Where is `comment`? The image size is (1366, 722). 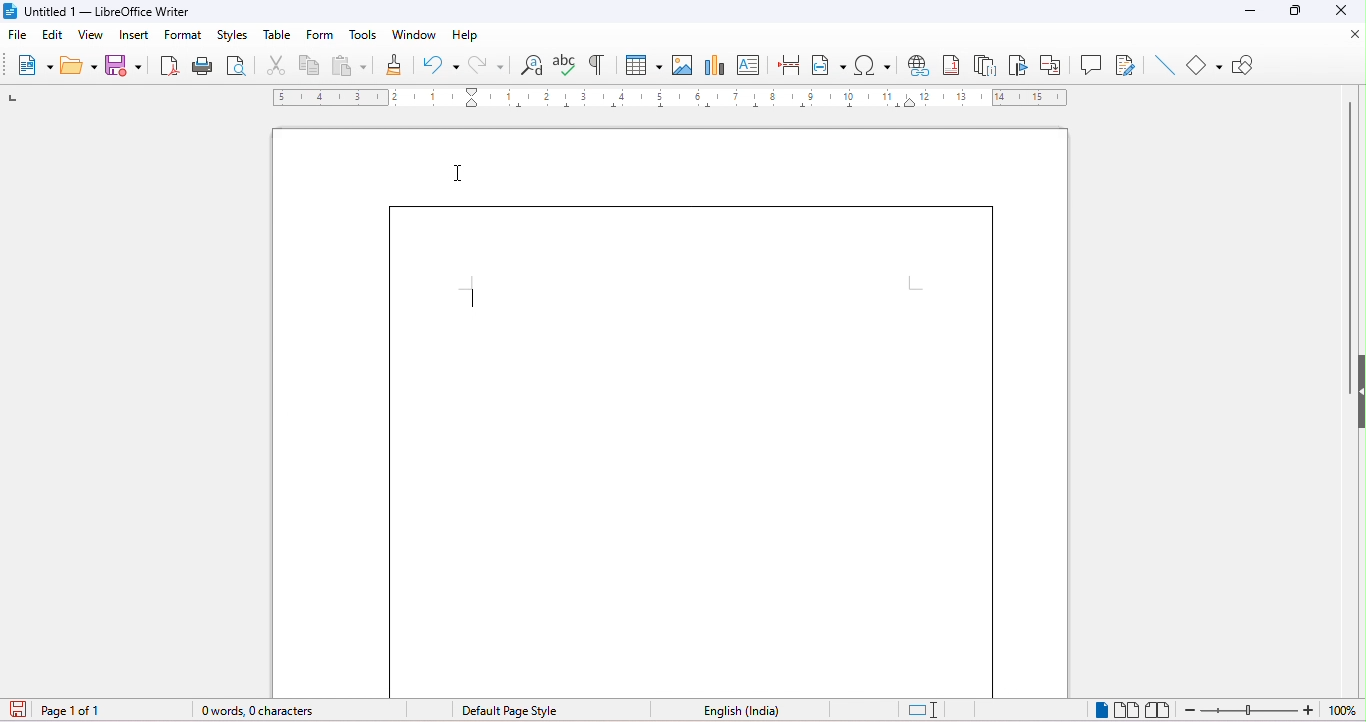
comment is located at coordinates (1092, 64).